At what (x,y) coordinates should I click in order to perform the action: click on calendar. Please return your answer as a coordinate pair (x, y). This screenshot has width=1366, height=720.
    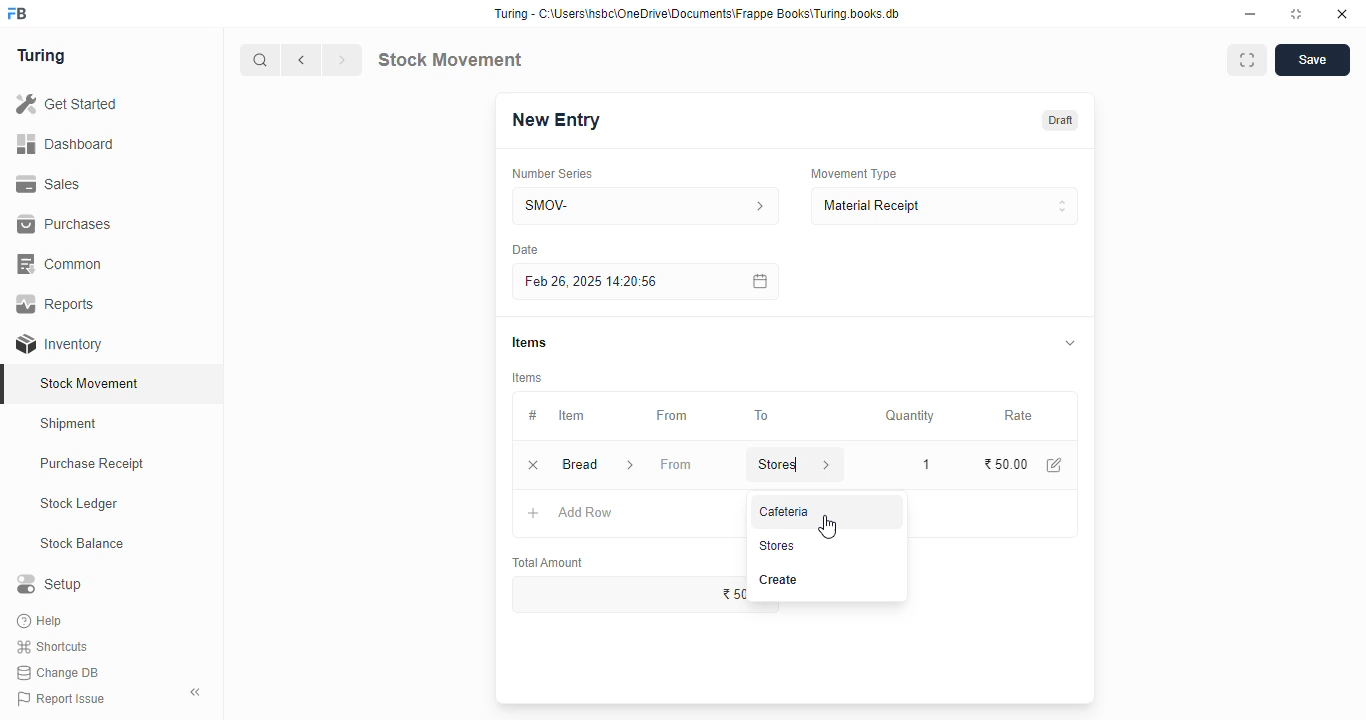
    Looking at the image, I should click on (758, 281).